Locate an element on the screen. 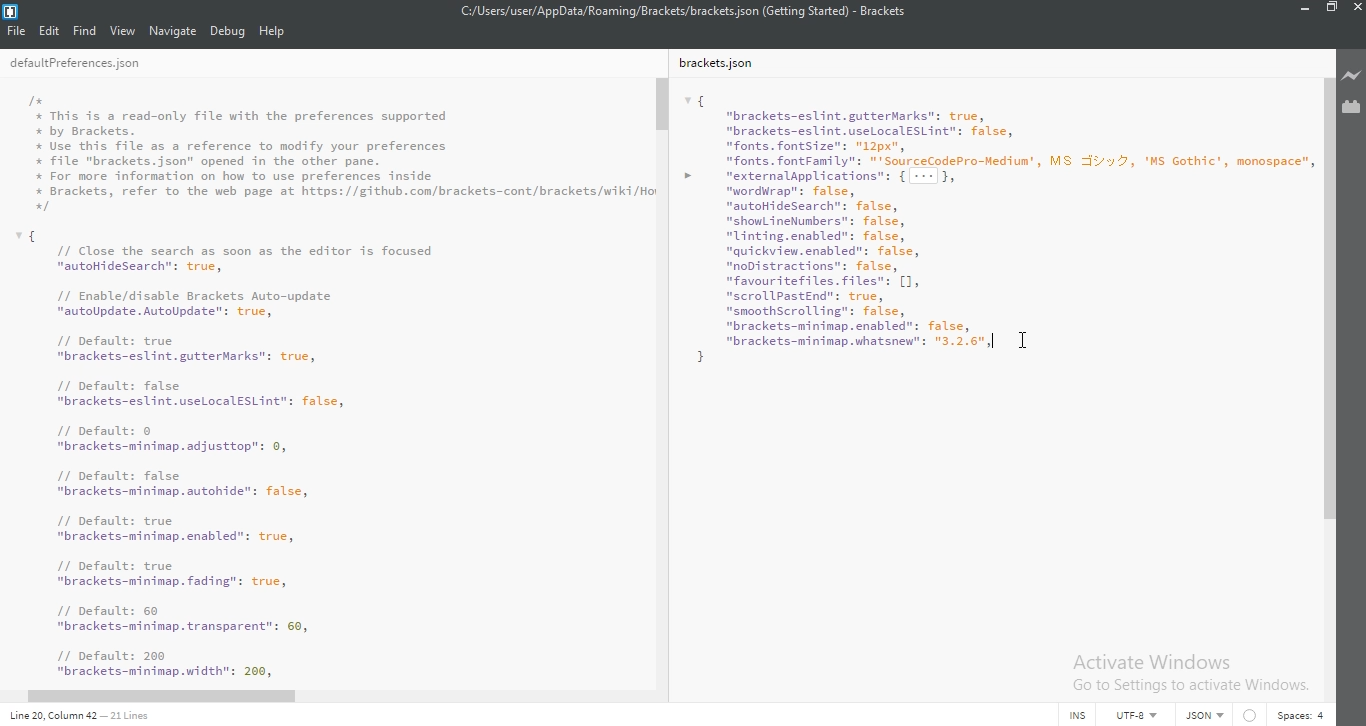 The width and height of the screenshot is (1366, 726). restore is located at coordinates (1330, 11).